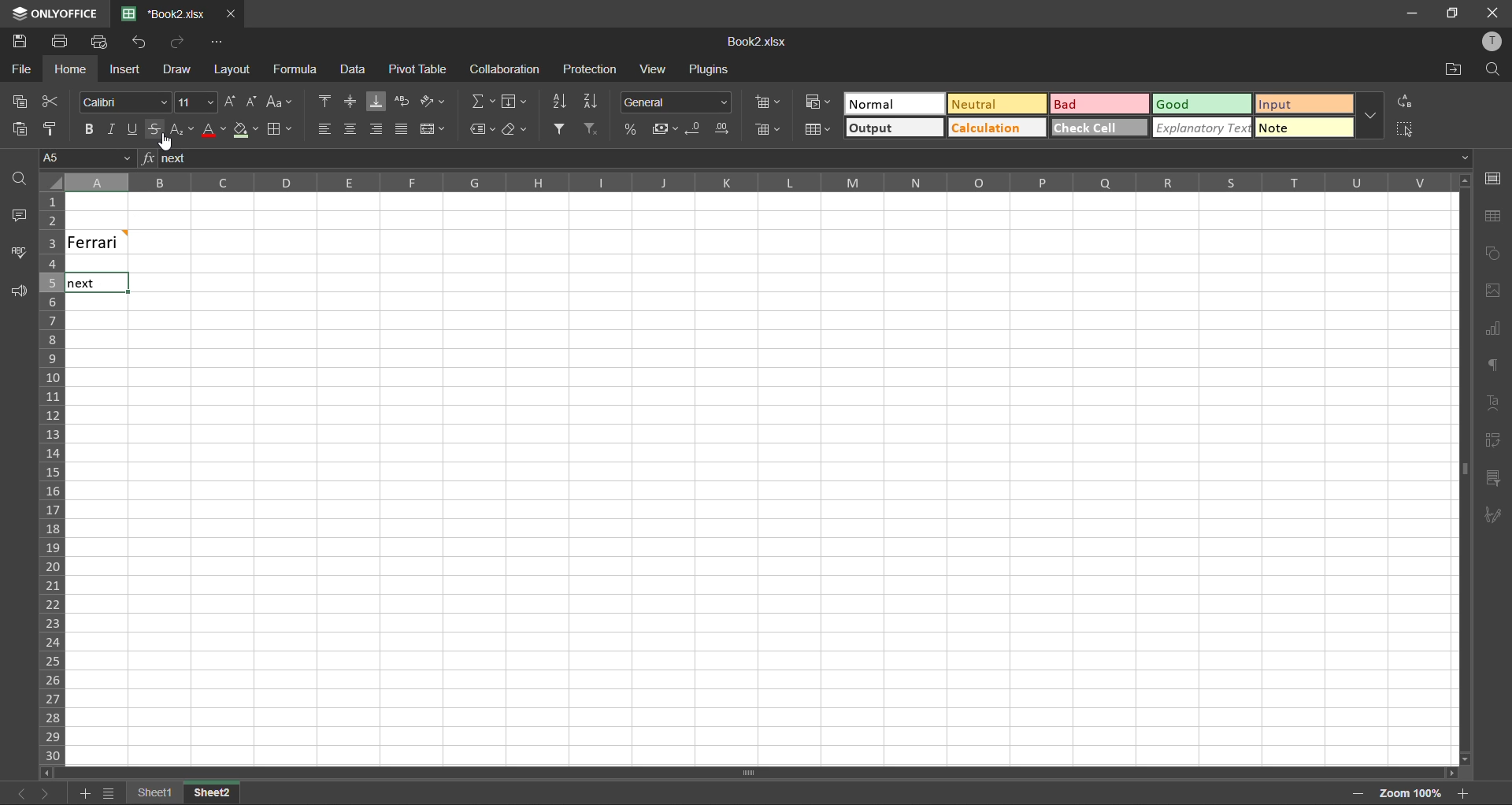  What do you see at coordinates (482, 101) in the screenshot?
I see `summation` at bounding box center [482, 101].